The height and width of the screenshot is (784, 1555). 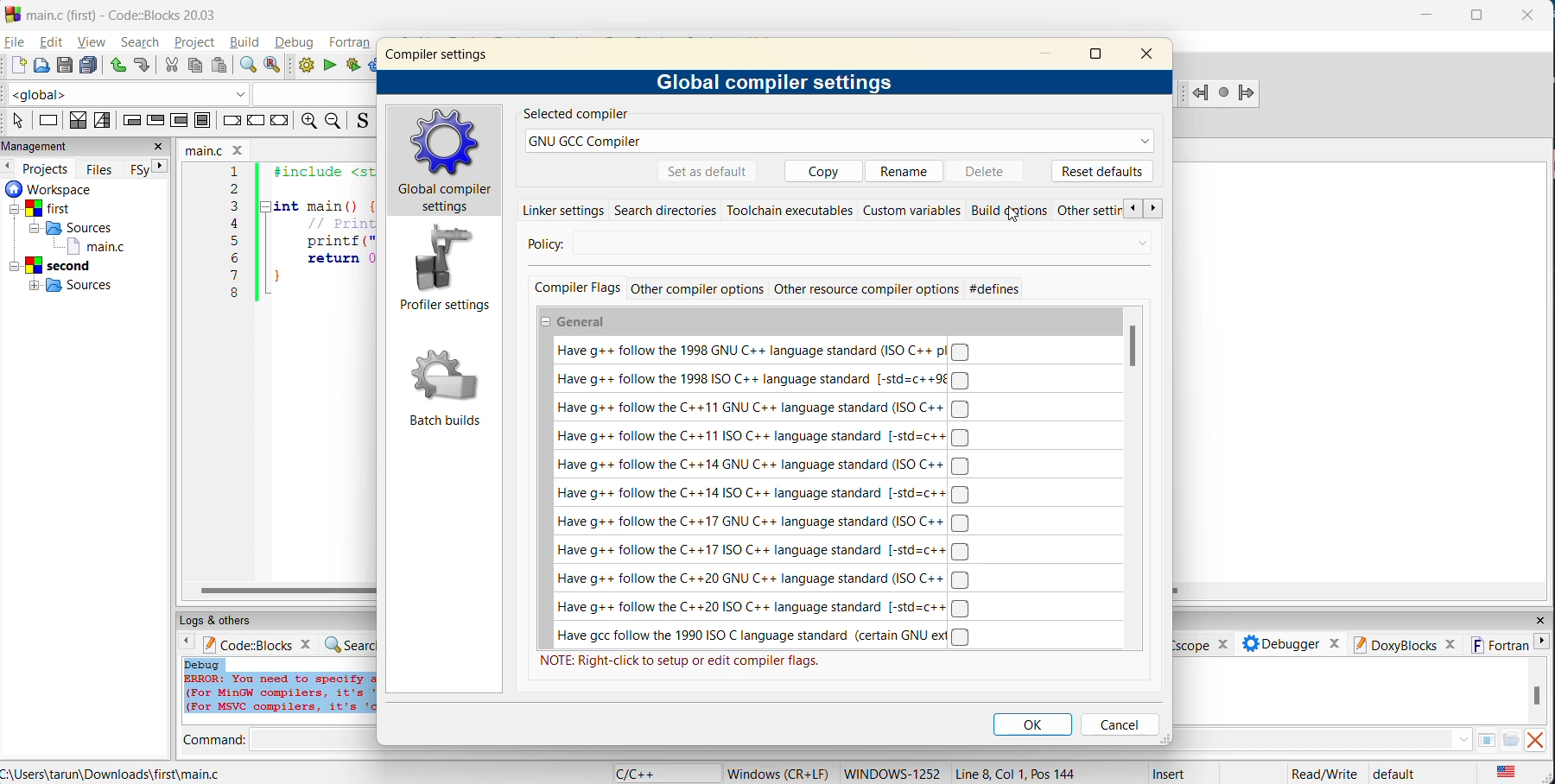 What do you see at coordinates (764, 493) in the screenshot?
I see `Have g++ follow the C++14 ISO C++ language standard [-std=c++` at bounding box center [764, 493].